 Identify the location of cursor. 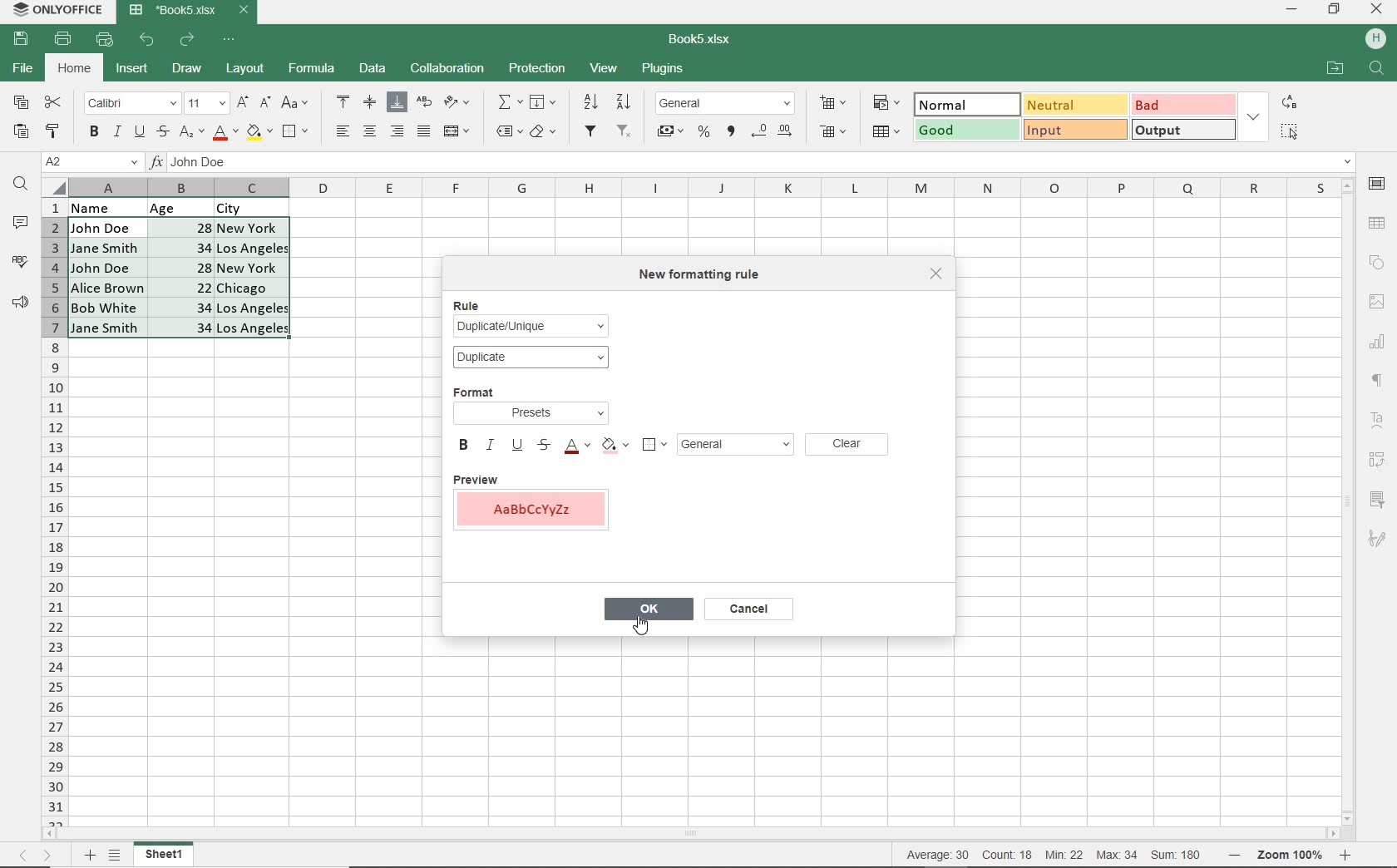
(640, 627).